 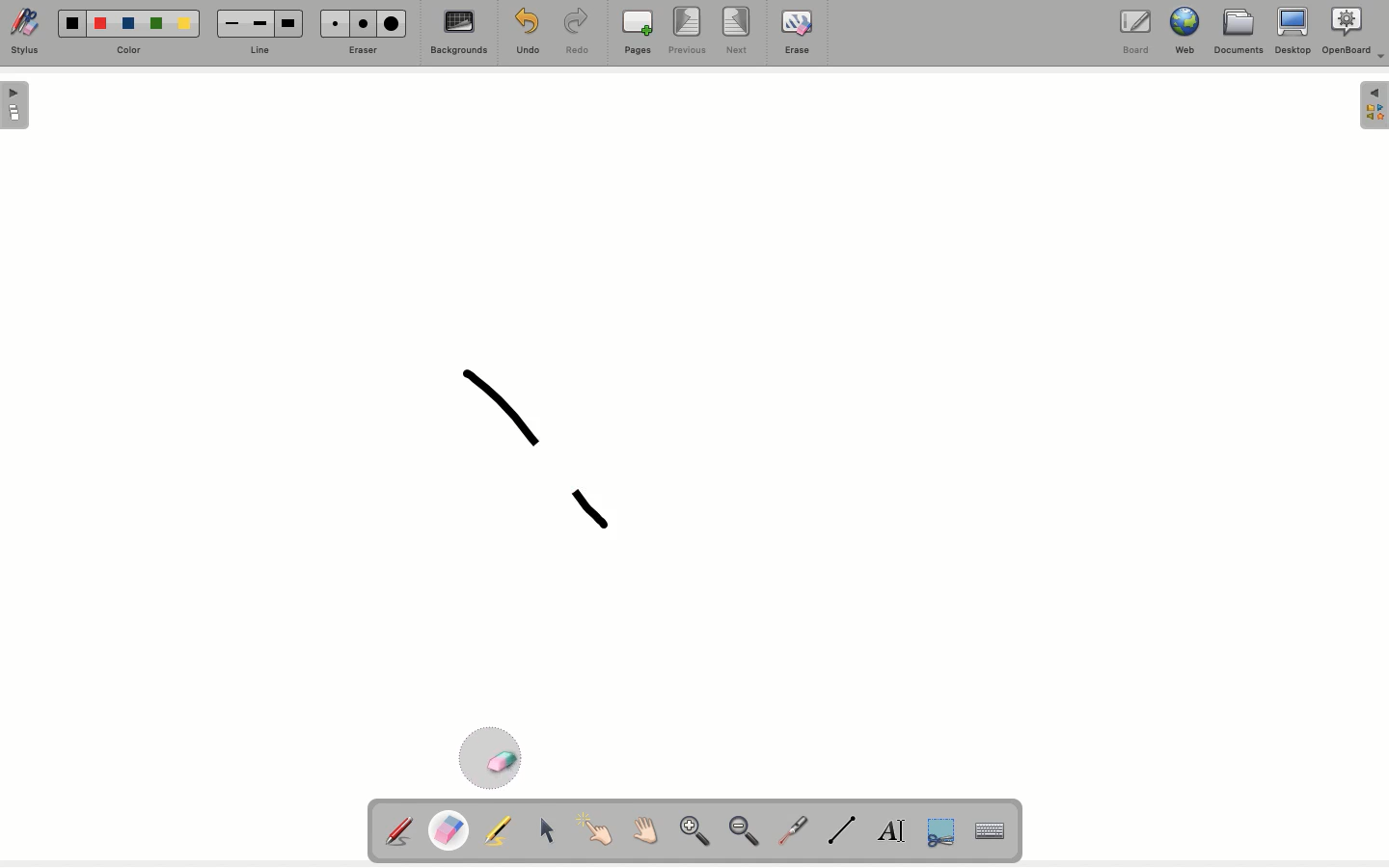 I want to click on Large , so click(x=395, y=23).